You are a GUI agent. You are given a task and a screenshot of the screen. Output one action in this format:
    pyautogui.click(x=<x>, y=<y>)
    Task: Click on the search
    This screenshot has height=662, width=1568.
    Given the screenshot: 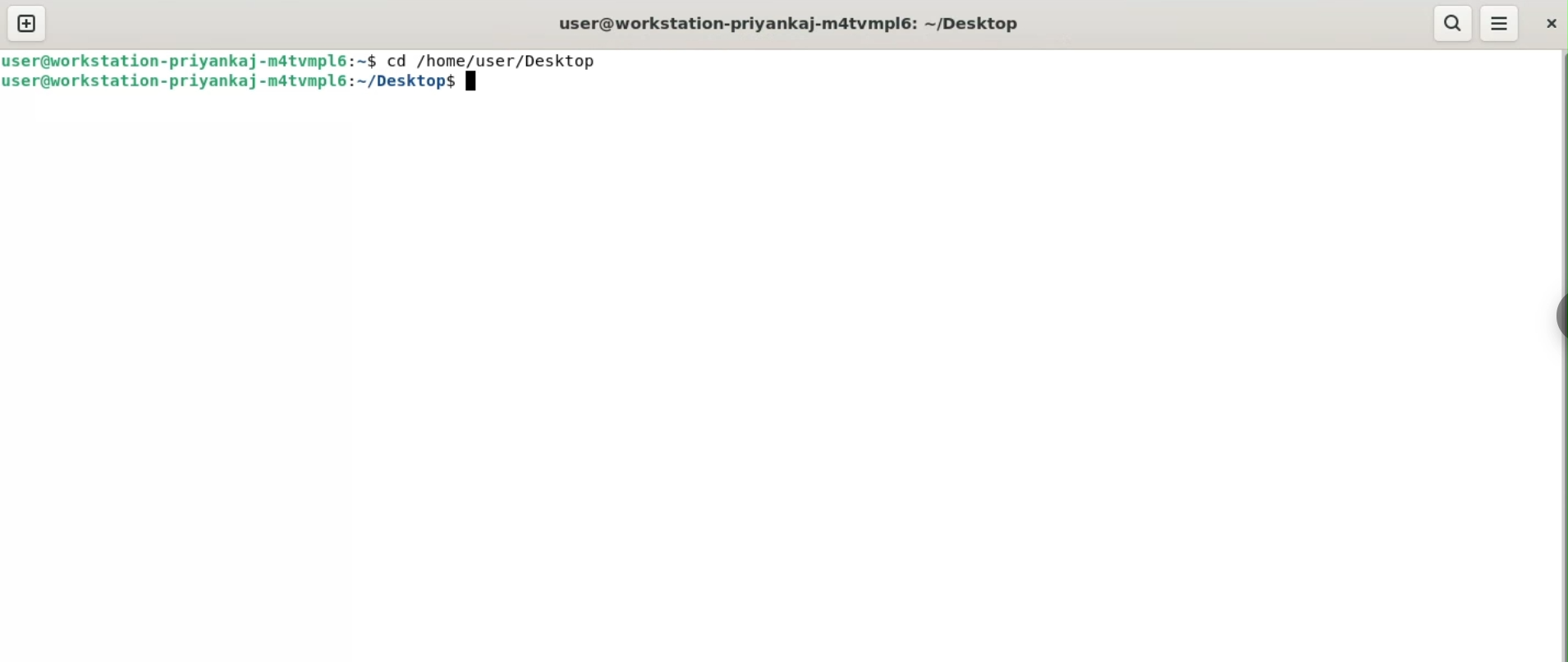 What is the action you would take?
    pyautogui.click(x=1451, y=24)
    